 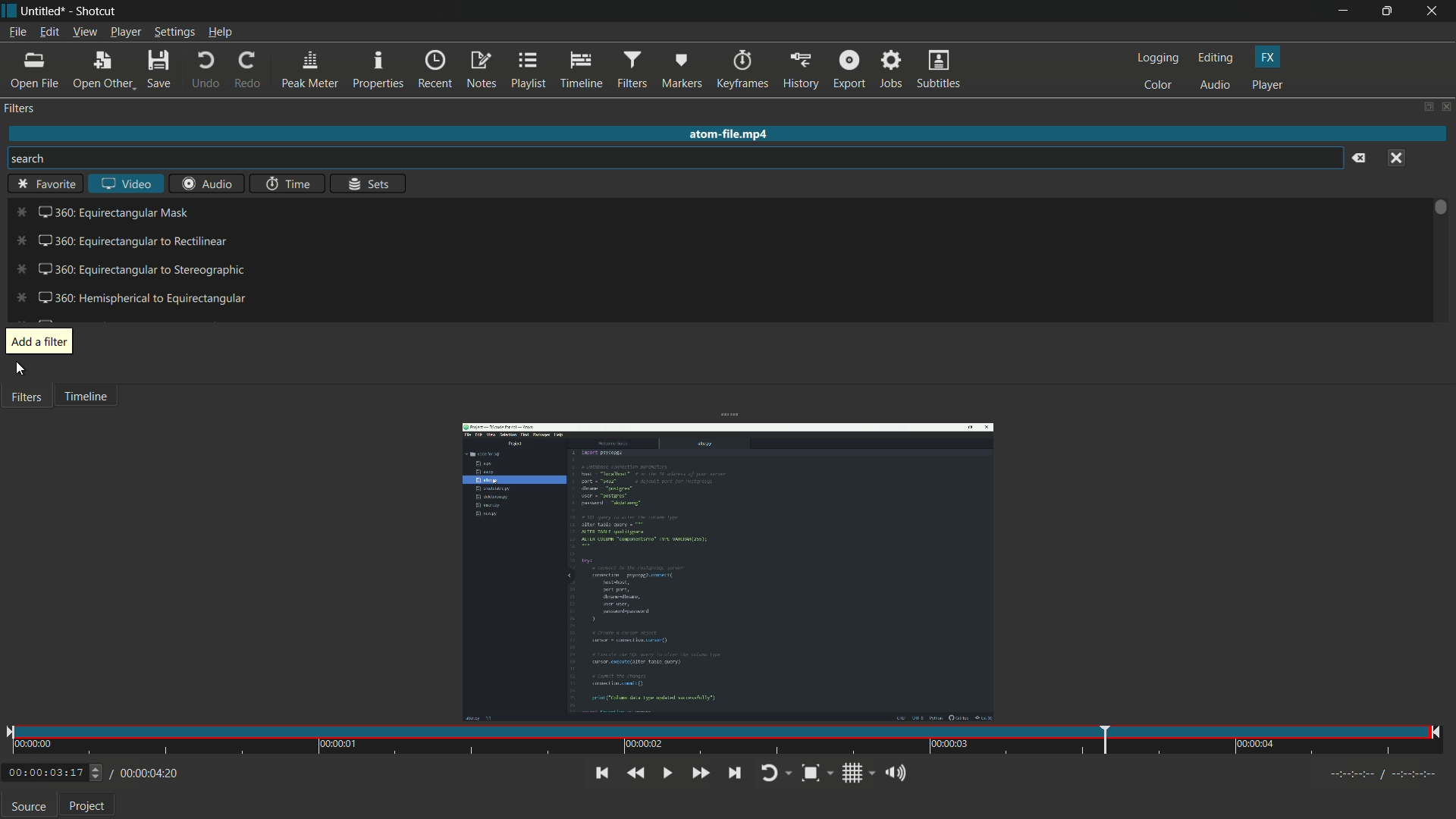 What do you see at coordinates (774, 773) in the screenshot?
I see `toggle player looping` at bounding box center [774, 773].